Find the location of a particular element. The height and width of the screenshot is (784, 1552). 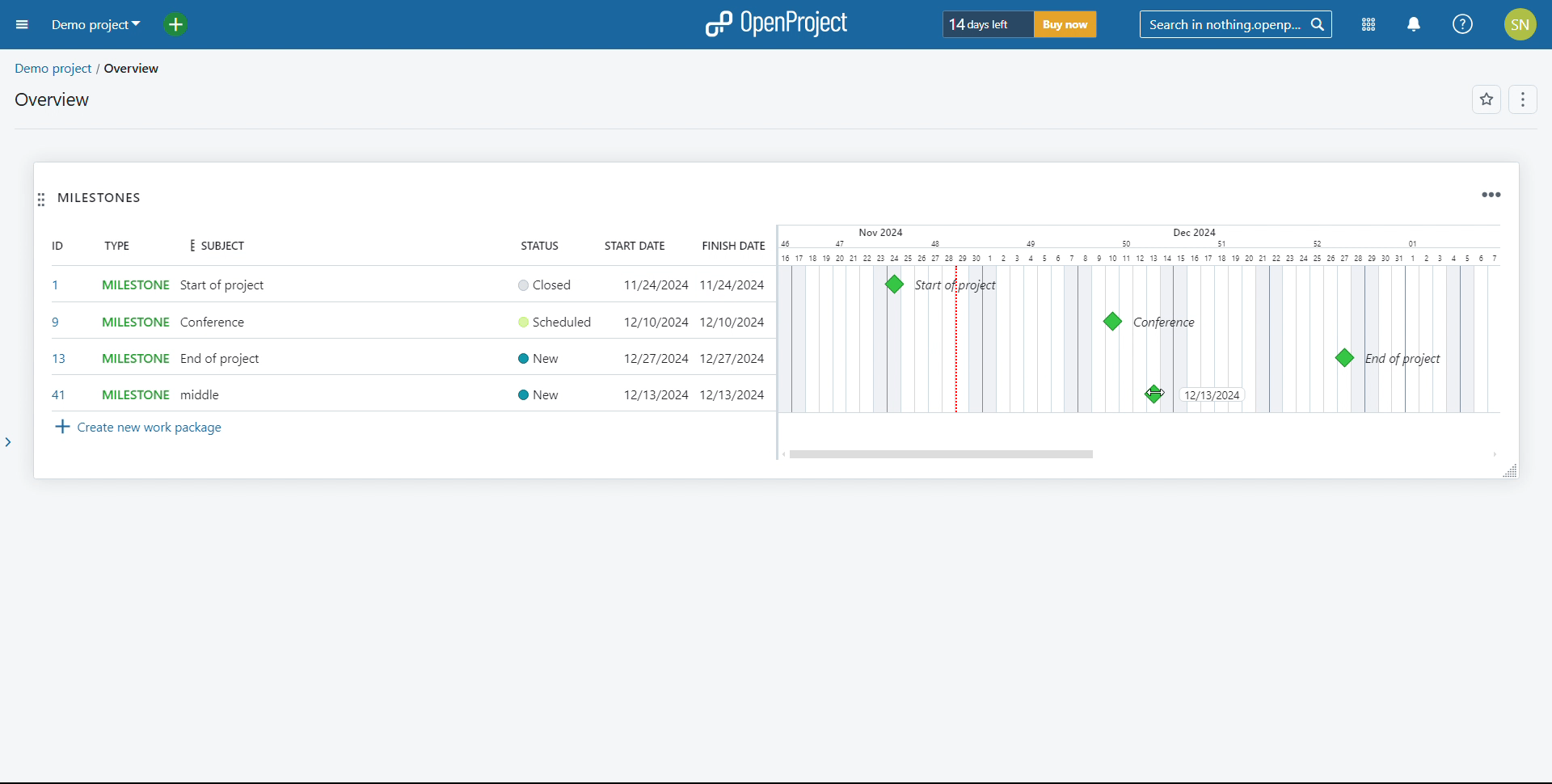

finish date is located at coordinates (731, 245).